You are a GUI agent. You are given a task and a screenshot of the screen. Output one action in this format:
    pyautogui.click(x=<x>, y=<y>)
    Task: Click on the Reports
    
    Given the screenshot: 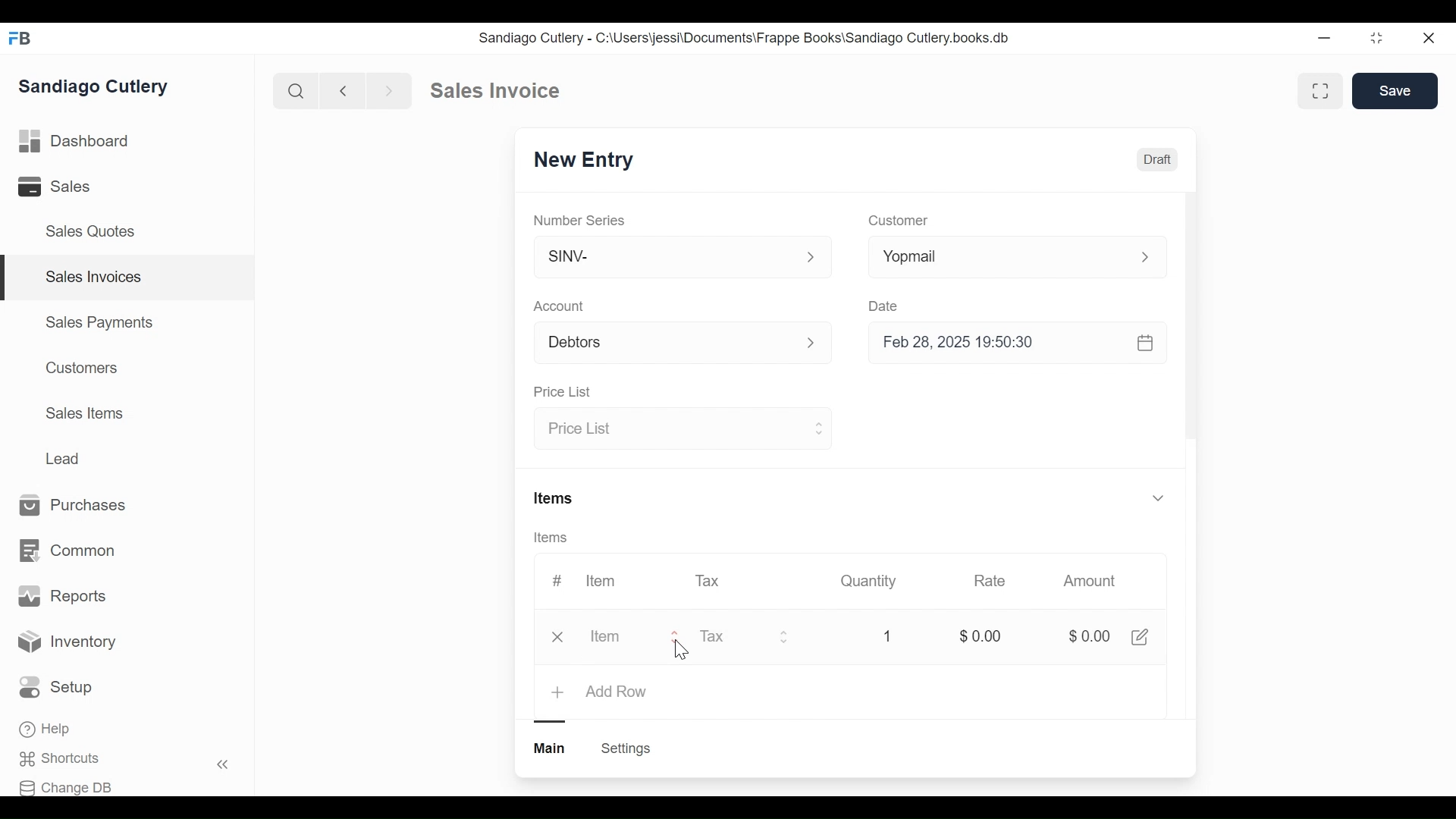 What is the action you would take?
    pyautogui.click(x=62, y=596)
    